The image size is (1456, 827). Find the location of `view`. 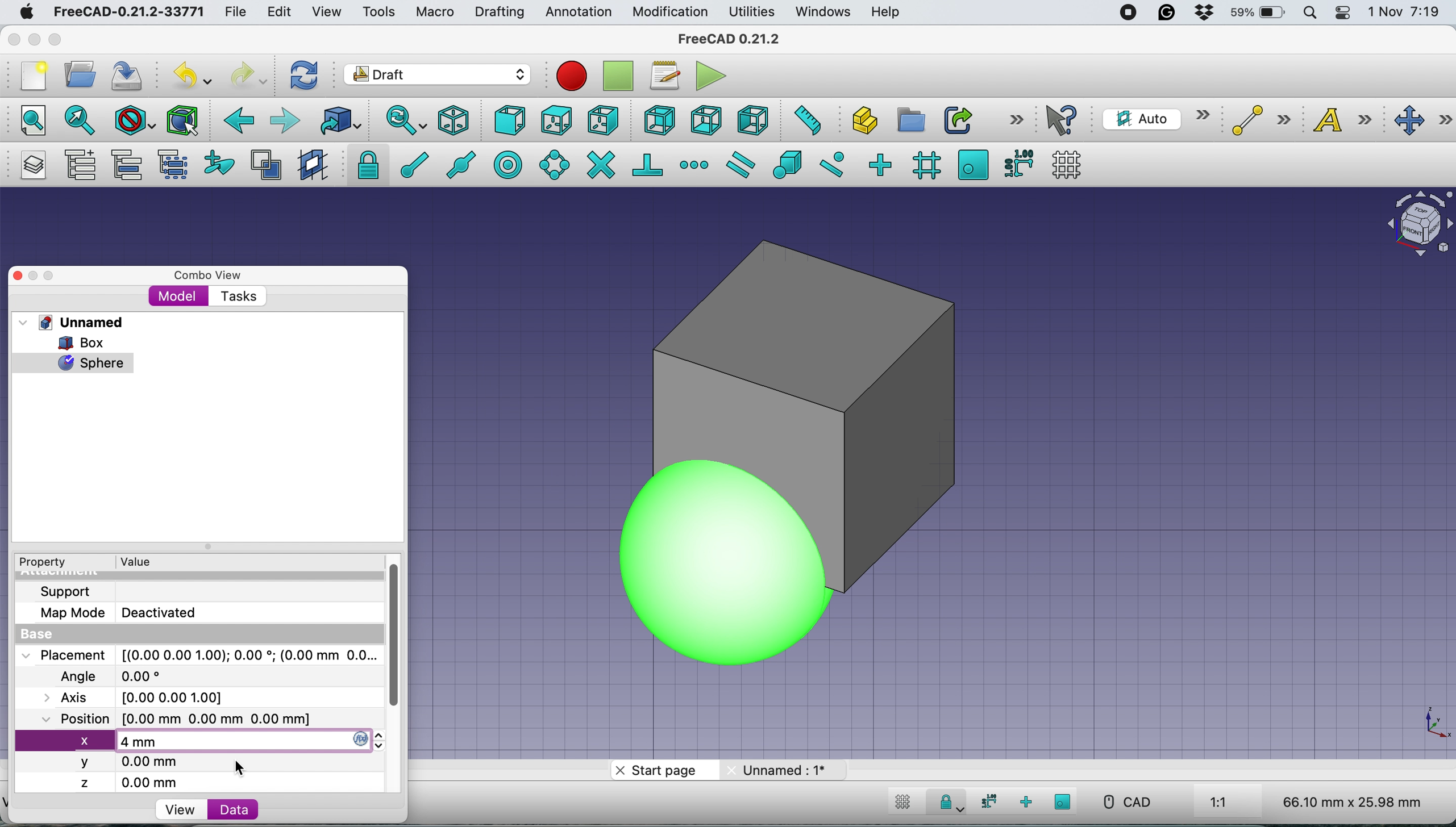

view is located at coordinates (331, 12).